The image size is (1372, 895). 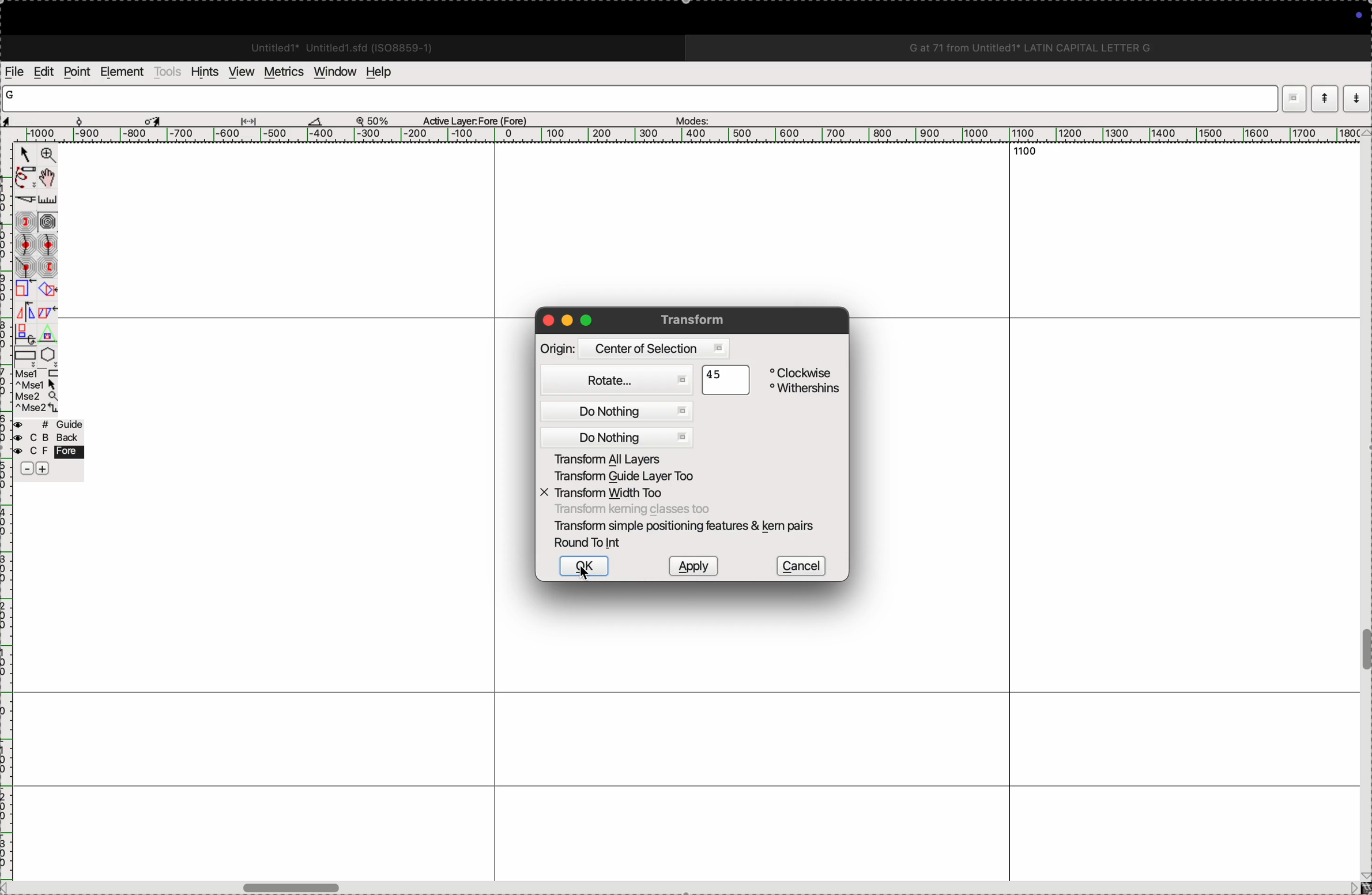 I want to click on horizontal scrollbar, so click(x=677, y=885).